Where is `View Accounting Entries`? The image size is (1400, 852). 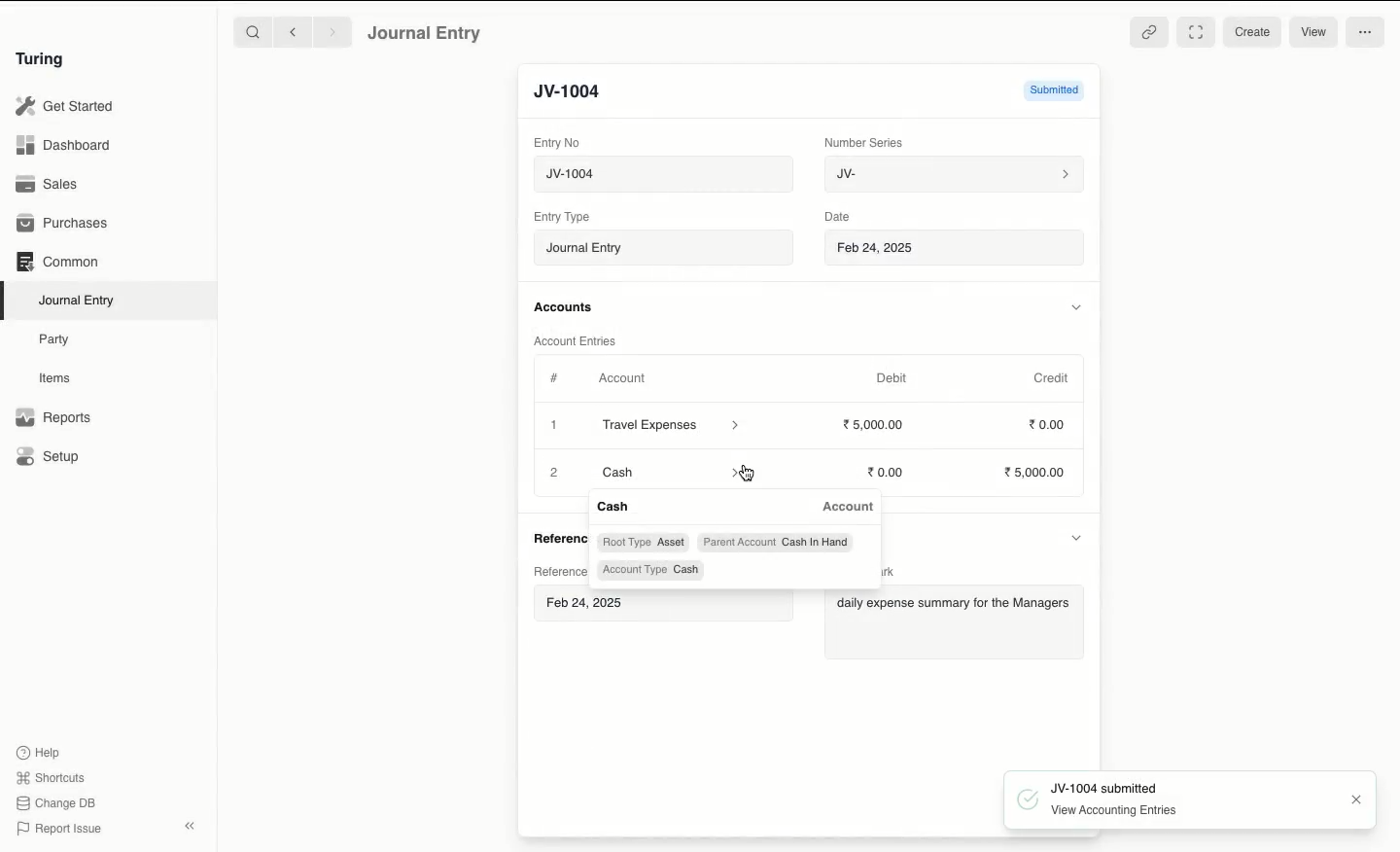 View Accounting Entries is located at coordinates (1121, 811).